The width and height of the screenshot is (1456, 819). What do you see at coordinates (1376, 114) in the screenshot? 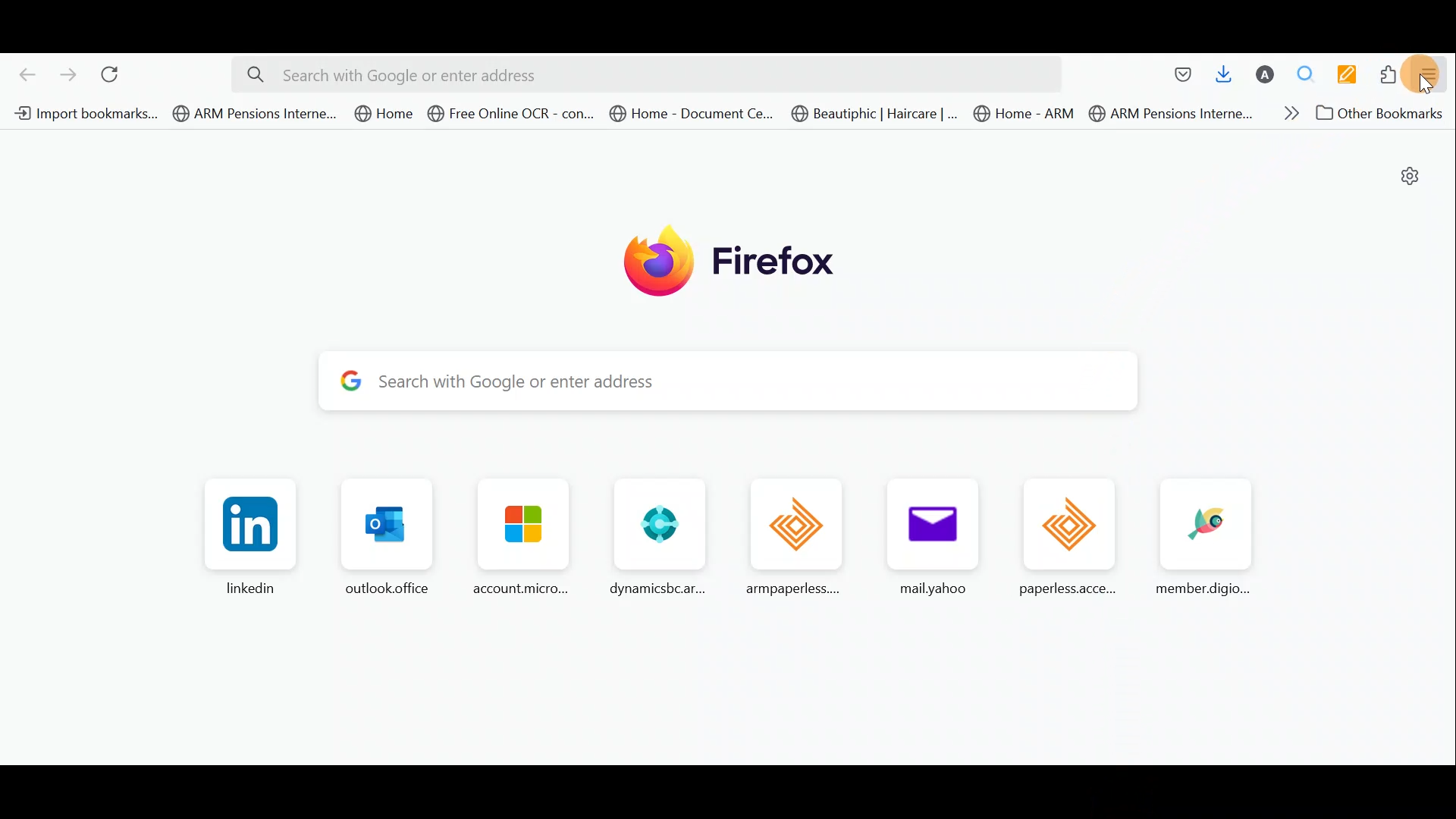
I see `] Other Bookmarks` at bounding box center [1376, 114].